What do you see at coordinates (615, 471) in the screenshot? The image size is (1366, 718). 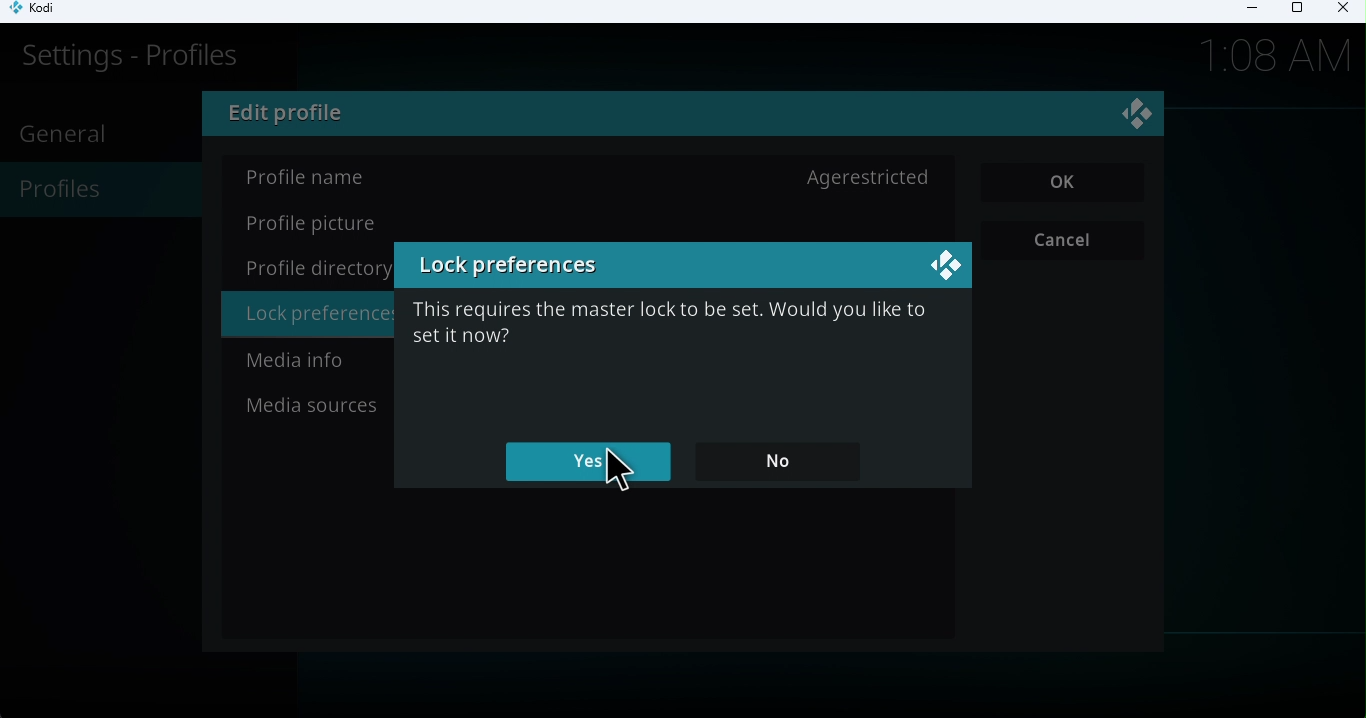 I see `cursor` at bounding box center [615, 471].